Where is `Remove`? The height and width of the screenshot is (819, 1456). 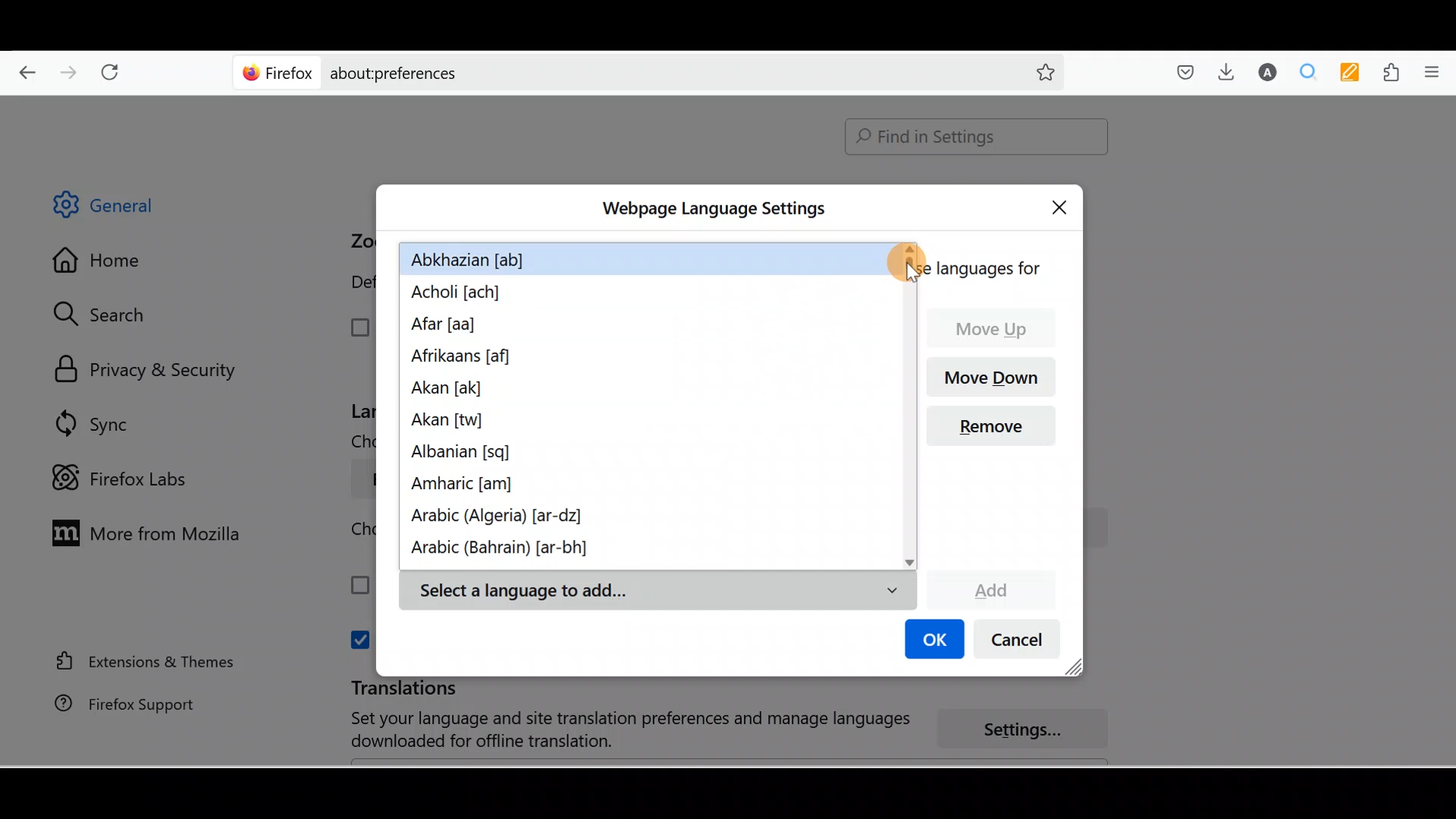 Remove is located at coordinates (997, 431).